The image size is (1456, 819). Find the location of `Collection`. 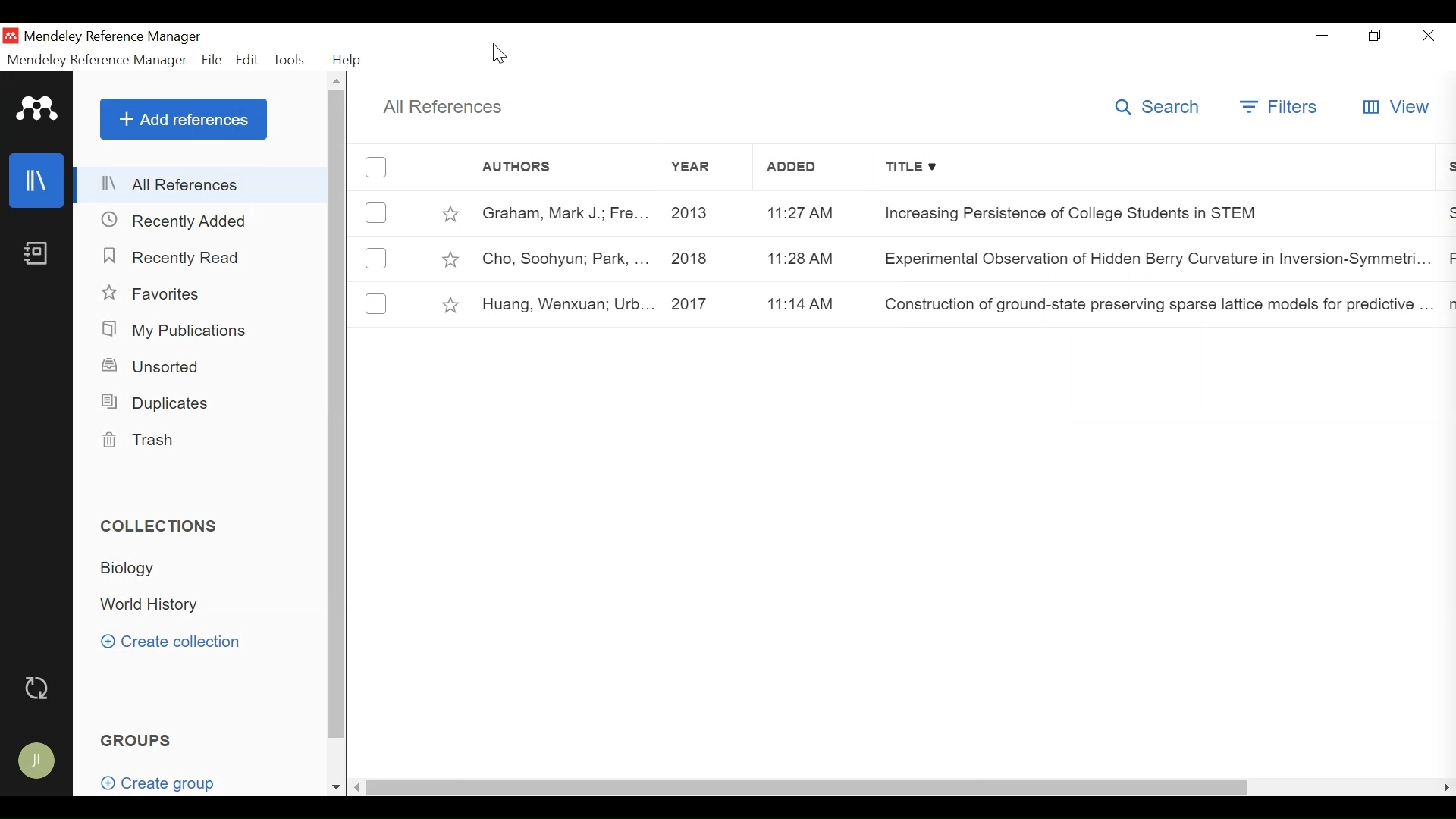

Collection is located at coordinates (152, 606).